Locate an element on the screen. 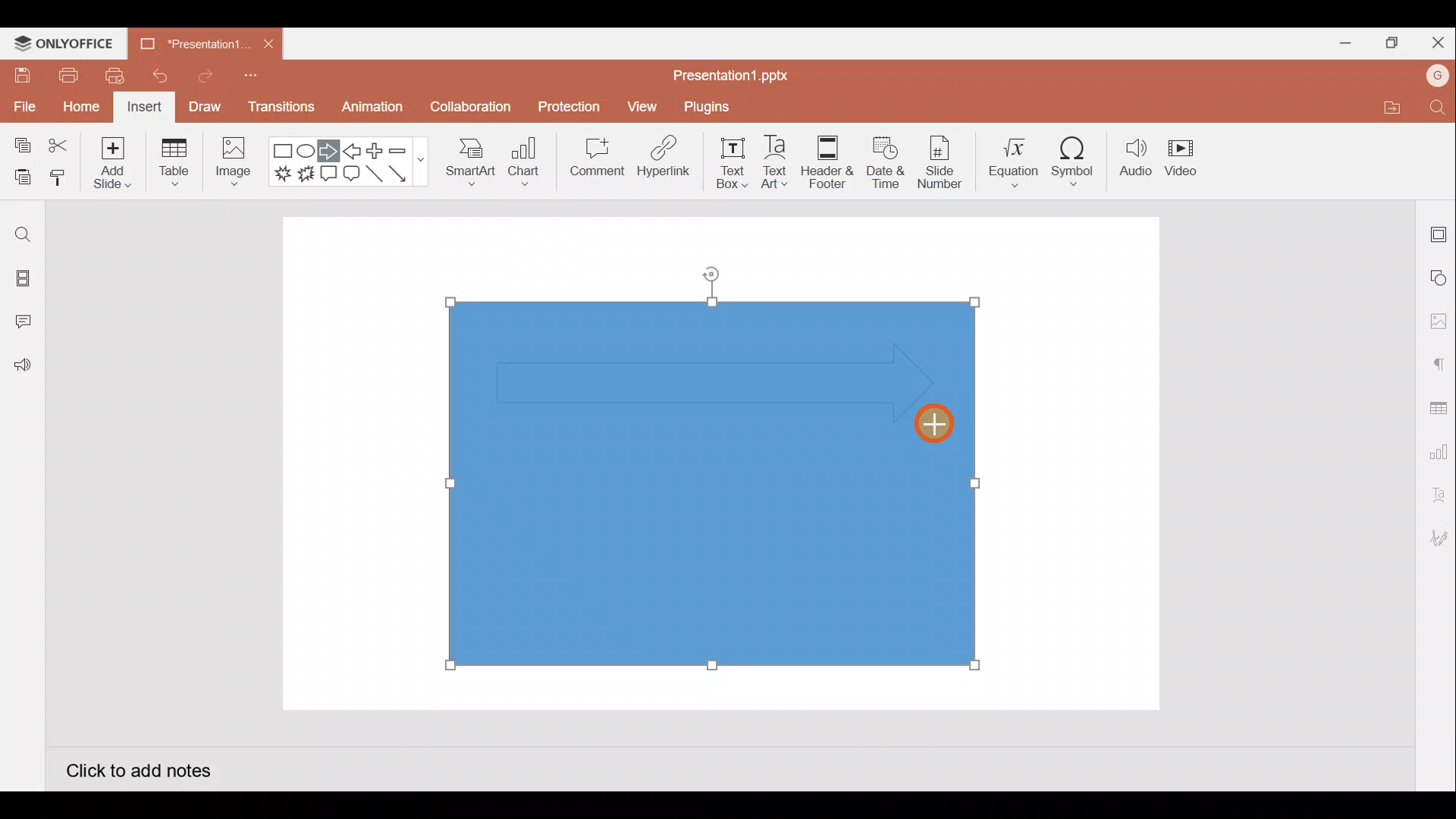  Undo is located at coordinates (154, 76).